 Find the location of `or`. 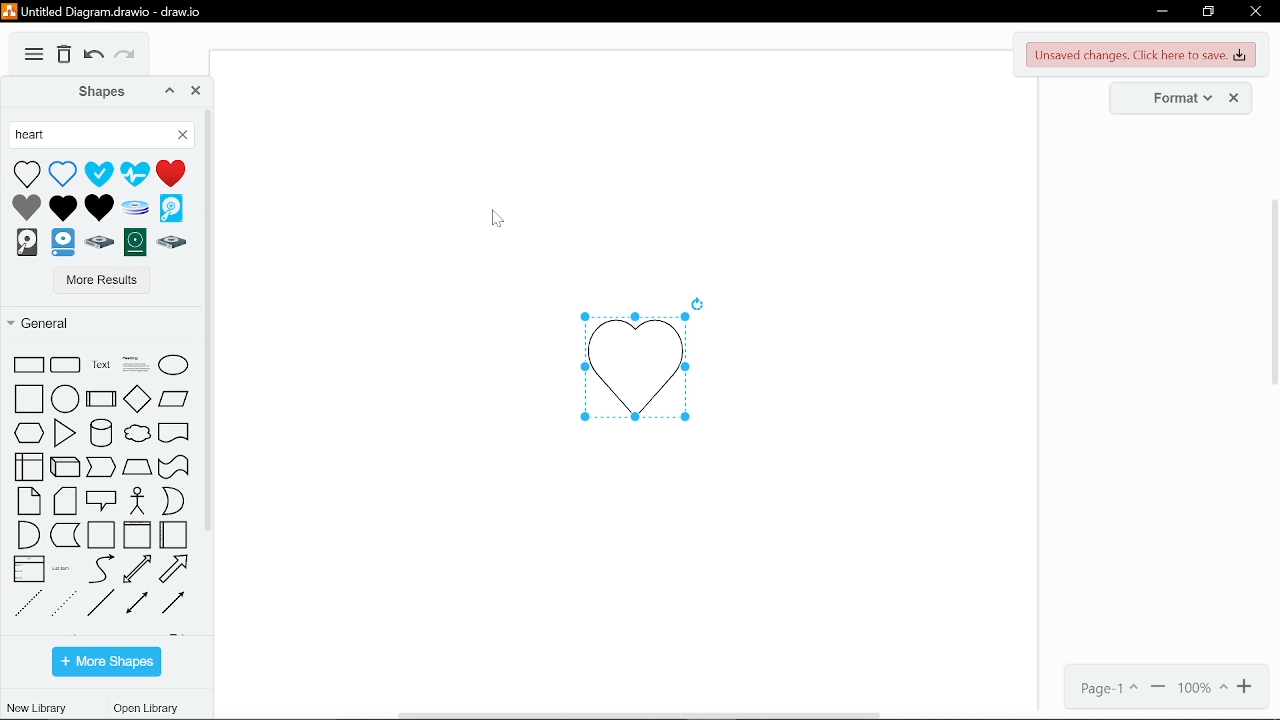

or is located at coordinates (170, 499).